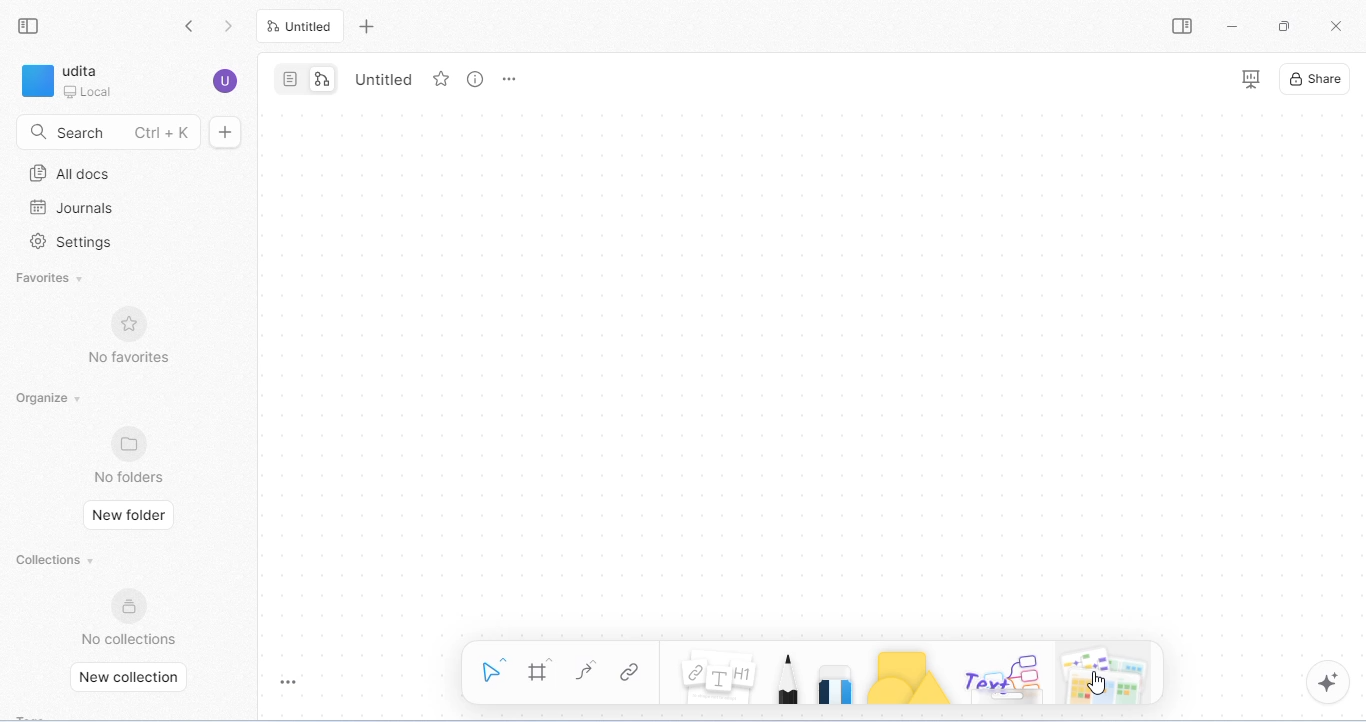 The height and width of the screenshot is (722, 1366). I want to click on link, so click(634, 671).